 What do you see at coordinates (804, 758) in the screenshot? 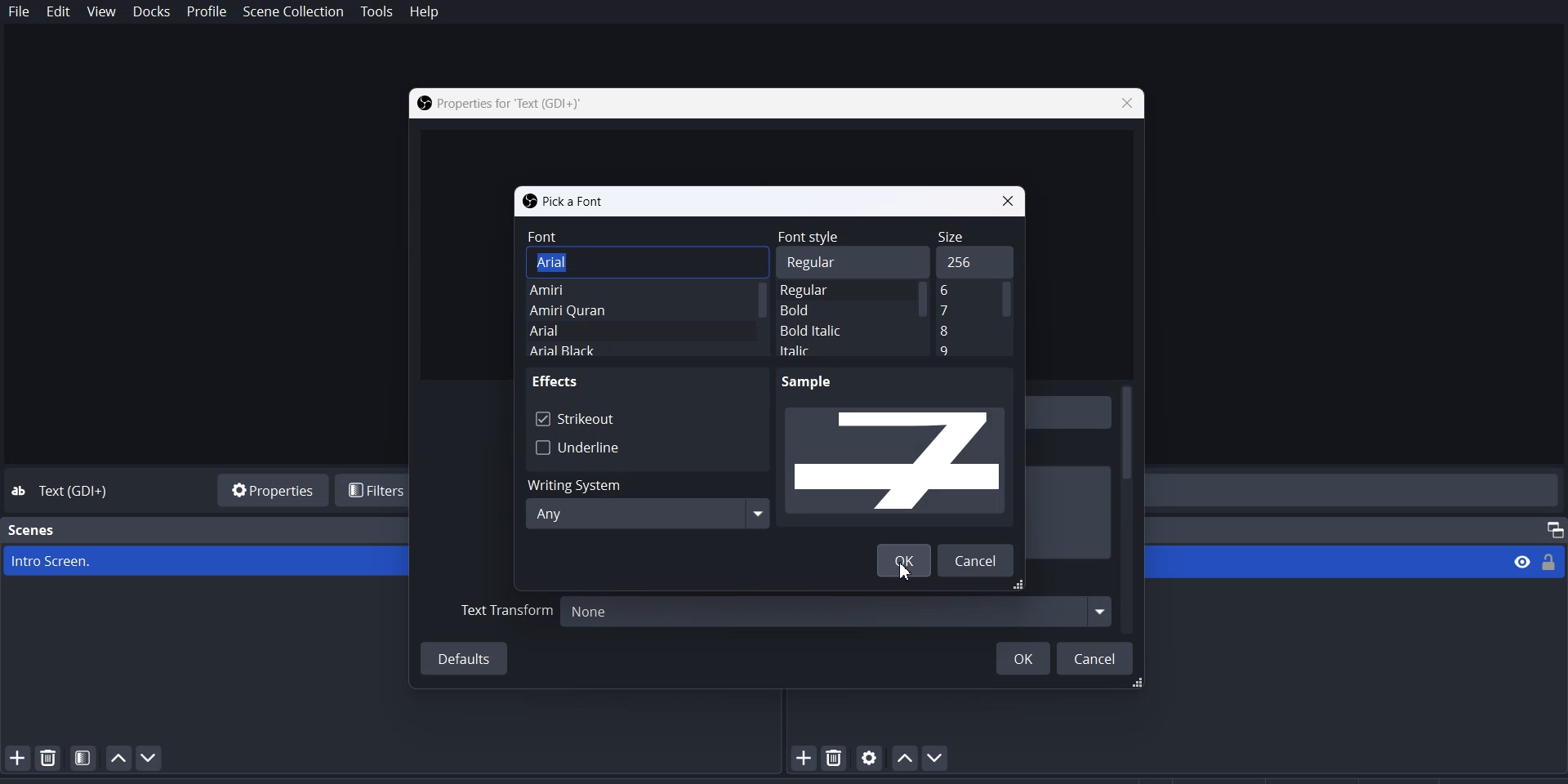
I see `Add Source` at bounding box center [804, 758].